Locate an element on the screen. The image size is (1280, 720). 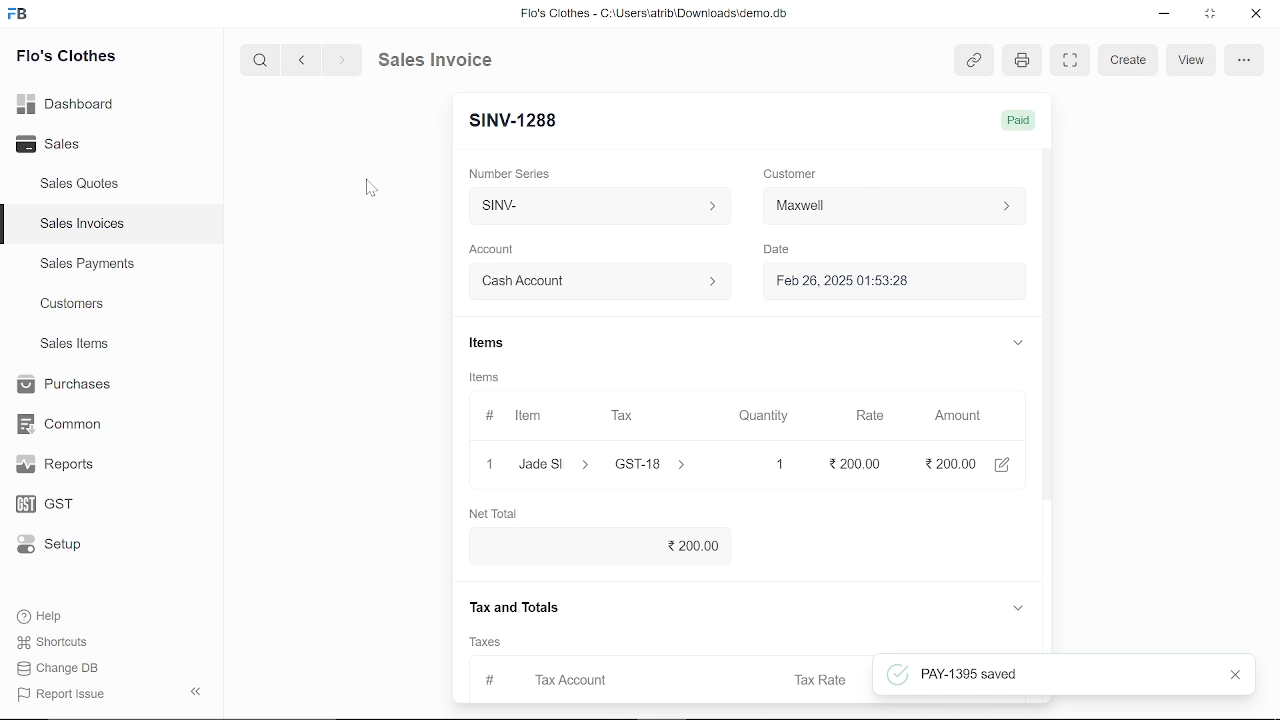
Flo's Clothes - C:\UsersatribiDownloads\demo.do is located at coordinates (662, 15).